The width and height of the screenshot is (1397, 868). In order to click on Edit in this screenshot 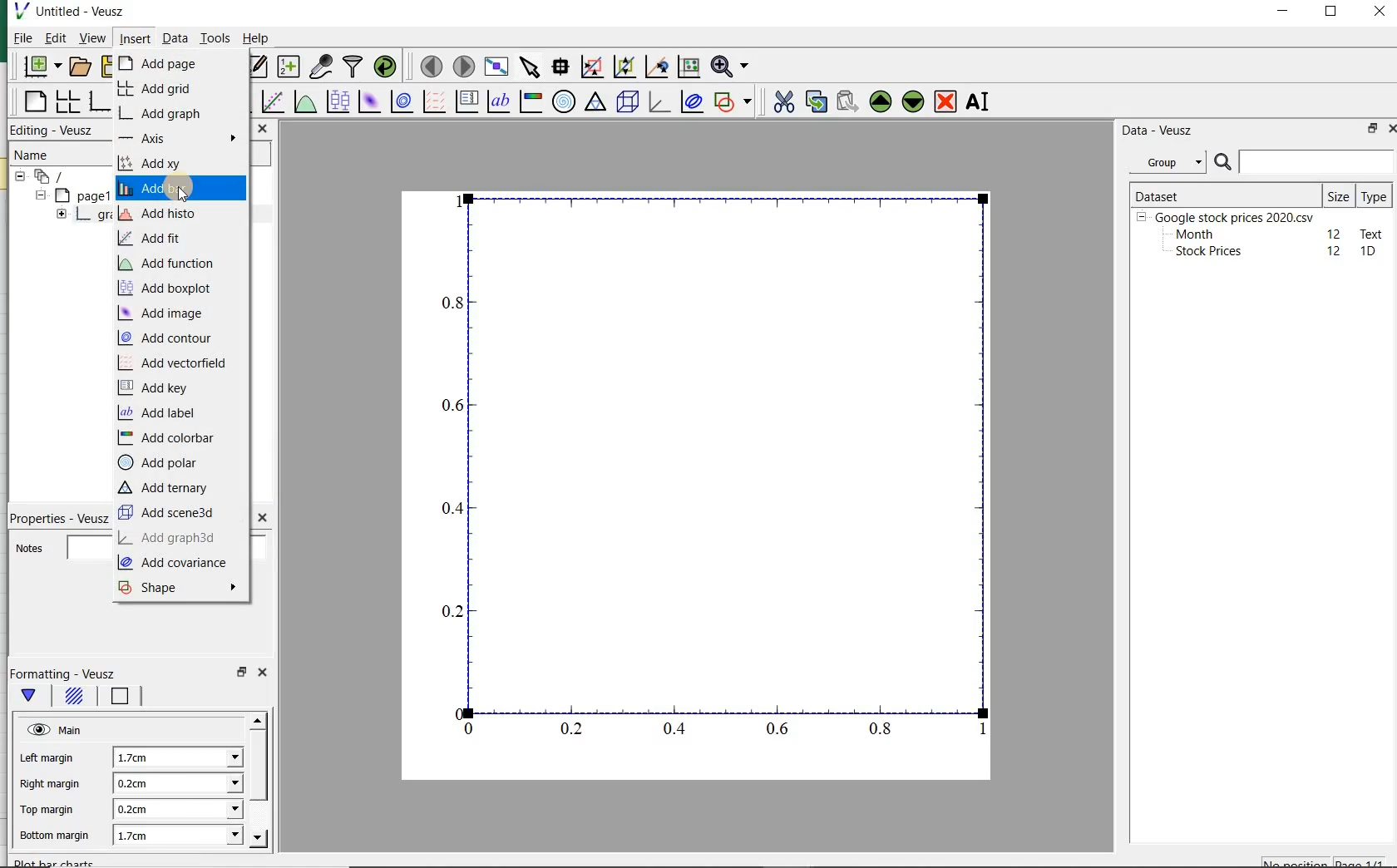, I will do `click(54, 37)`.